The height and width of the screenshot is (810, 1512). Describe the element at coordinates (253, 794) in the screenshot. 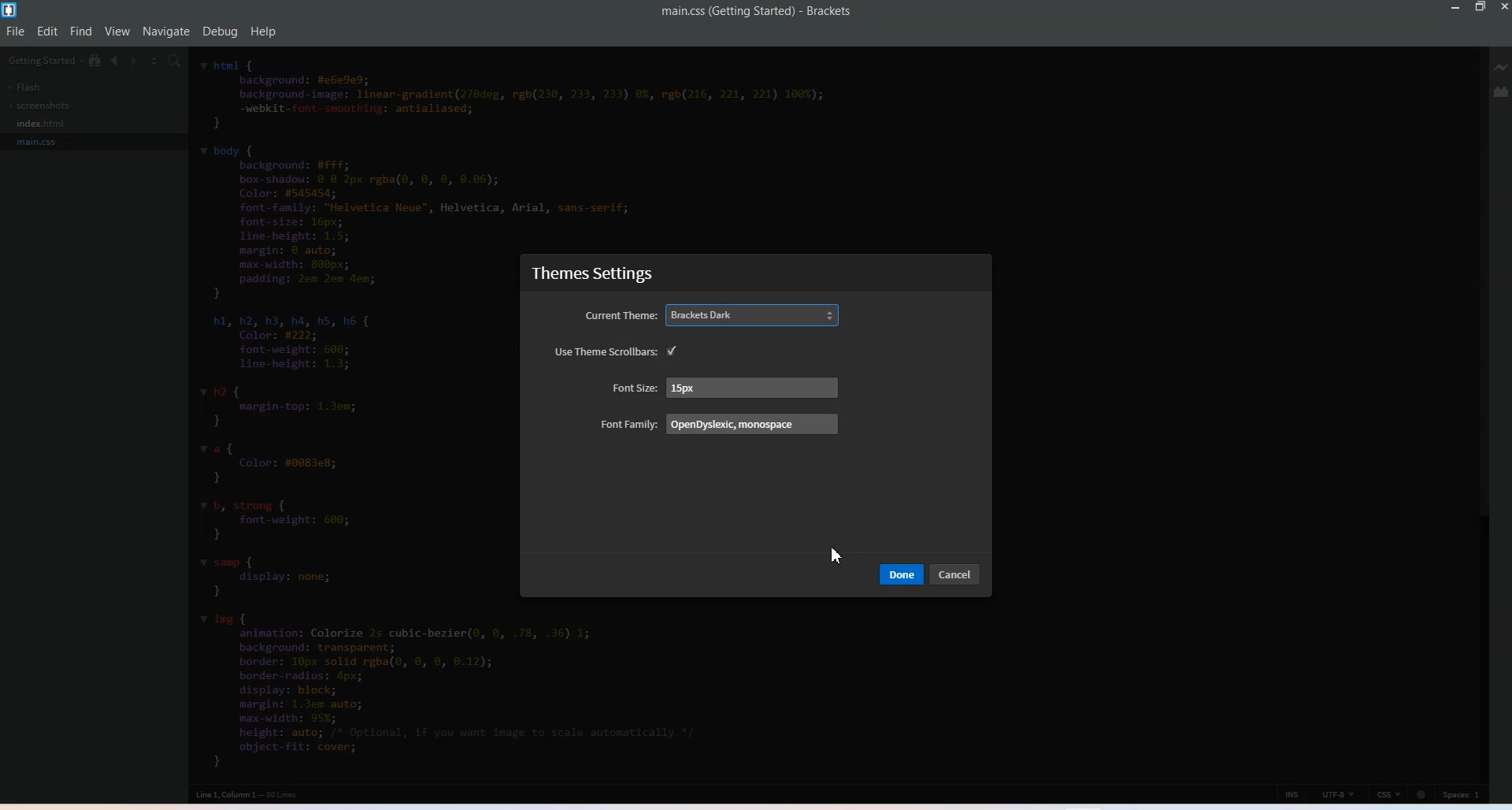

I see `Text 3 ` at that location.